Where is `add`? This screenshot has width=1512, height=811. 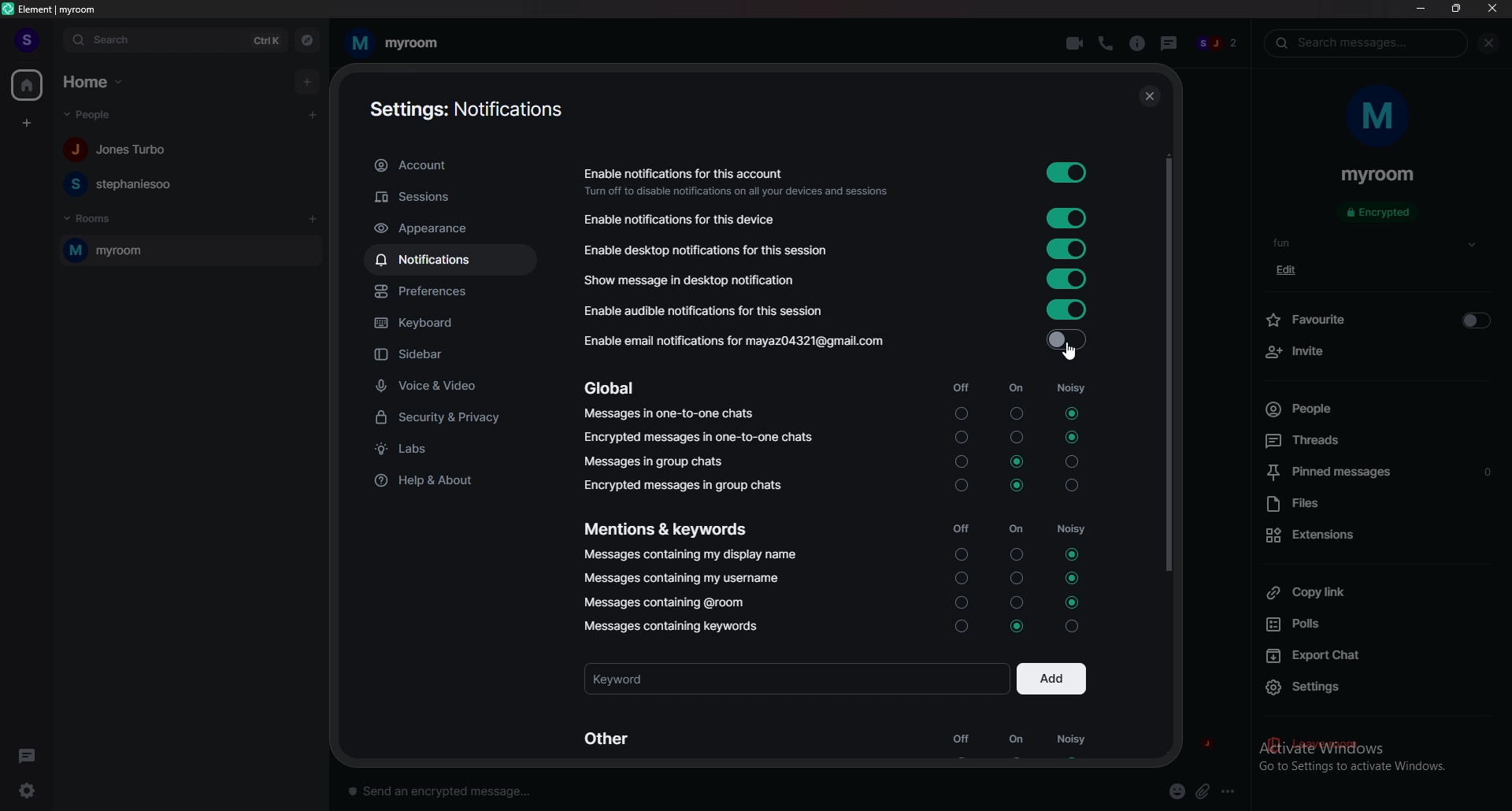 add is located at coordinates (1051, 677).